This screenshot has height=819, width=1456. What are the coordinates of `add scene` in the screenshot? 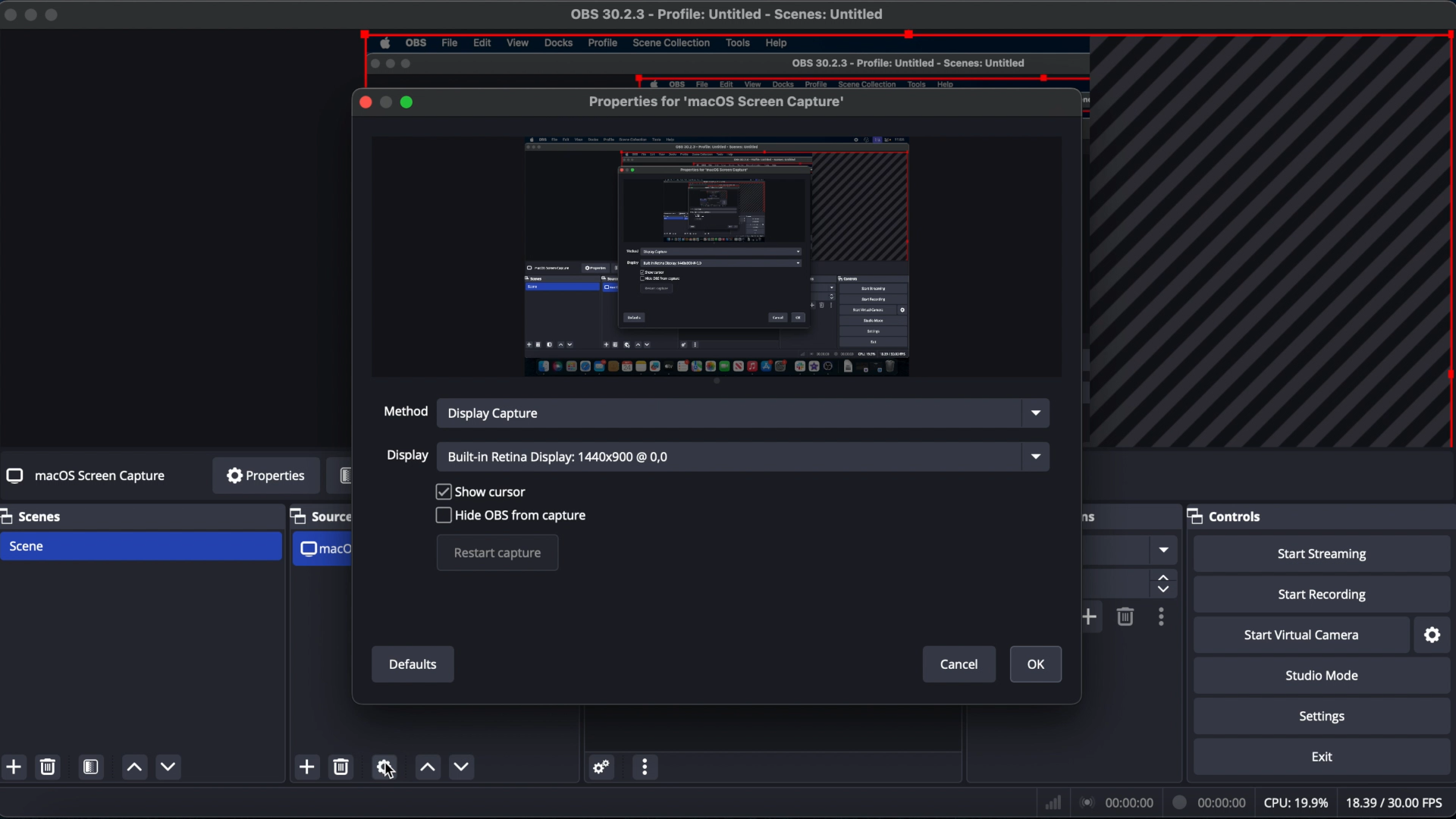 It's located at (14, 767).